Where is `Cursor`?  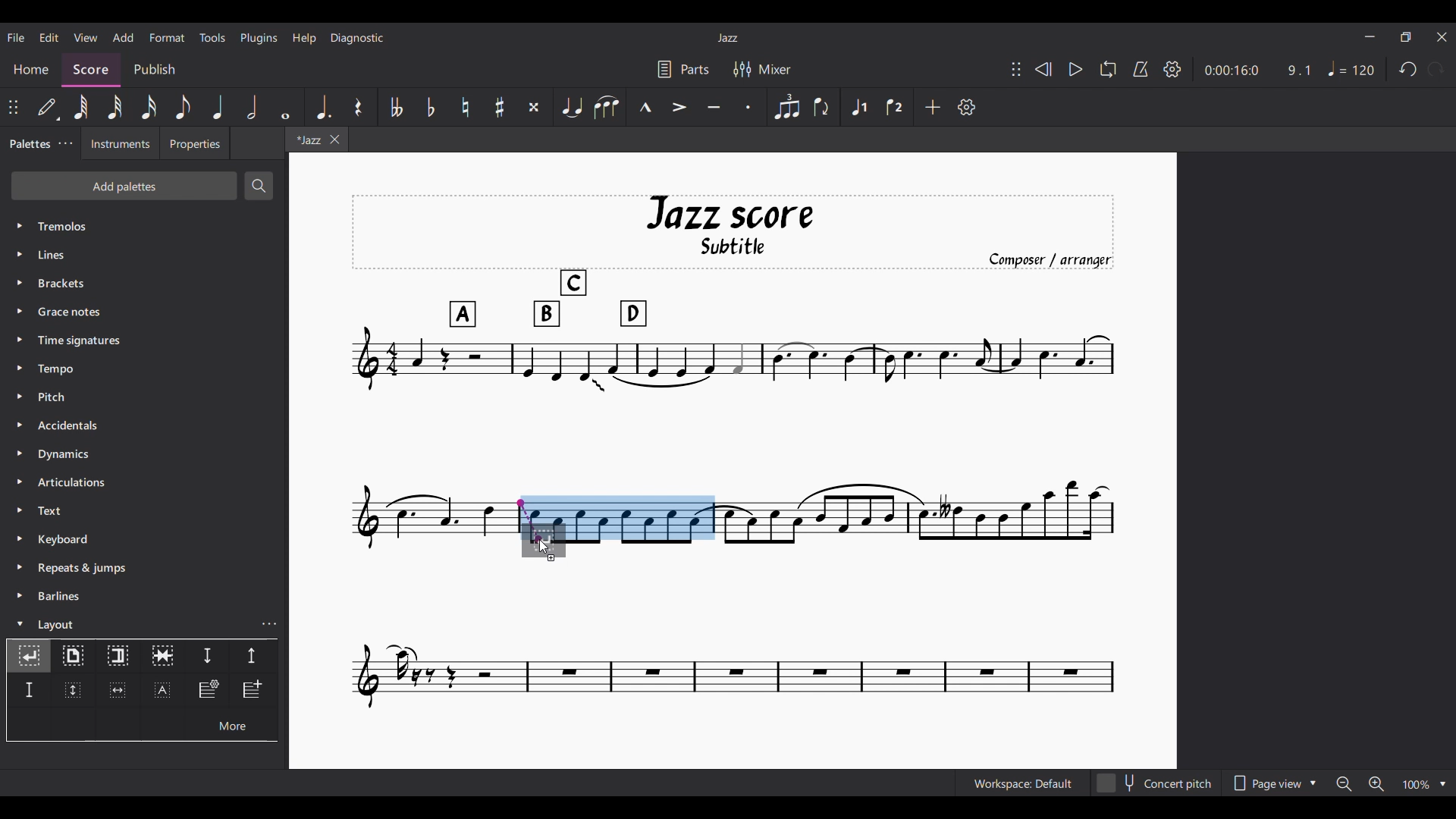
Cursor is located at coordinates (544, 547).